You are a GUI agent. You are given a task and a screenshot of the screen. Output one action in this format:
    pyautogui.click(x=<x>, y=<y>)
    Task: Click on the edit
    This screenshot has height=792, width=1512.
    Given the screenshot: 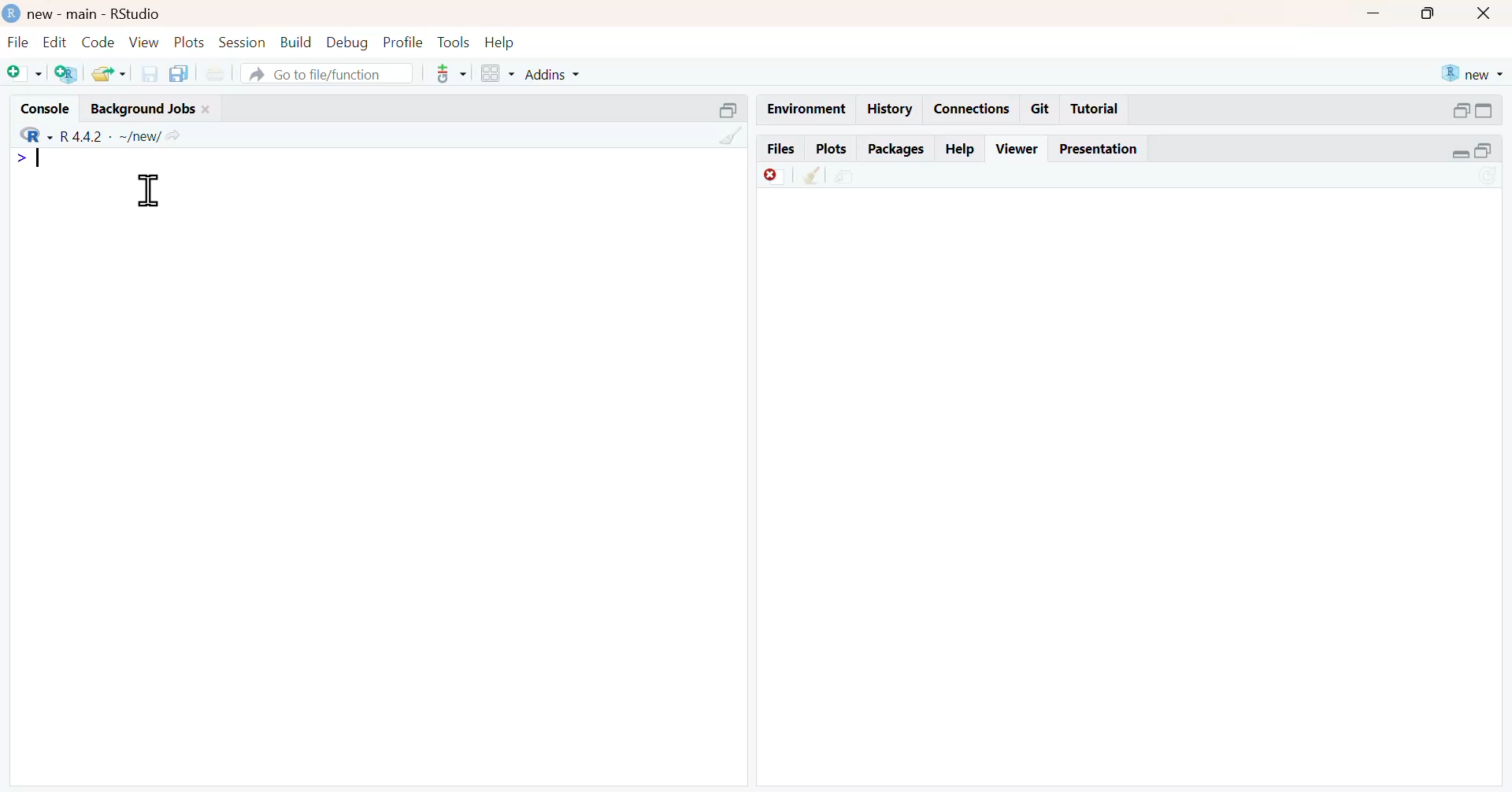 What is the action you would take?
    pyautogui.click(x=51, y=42)
    